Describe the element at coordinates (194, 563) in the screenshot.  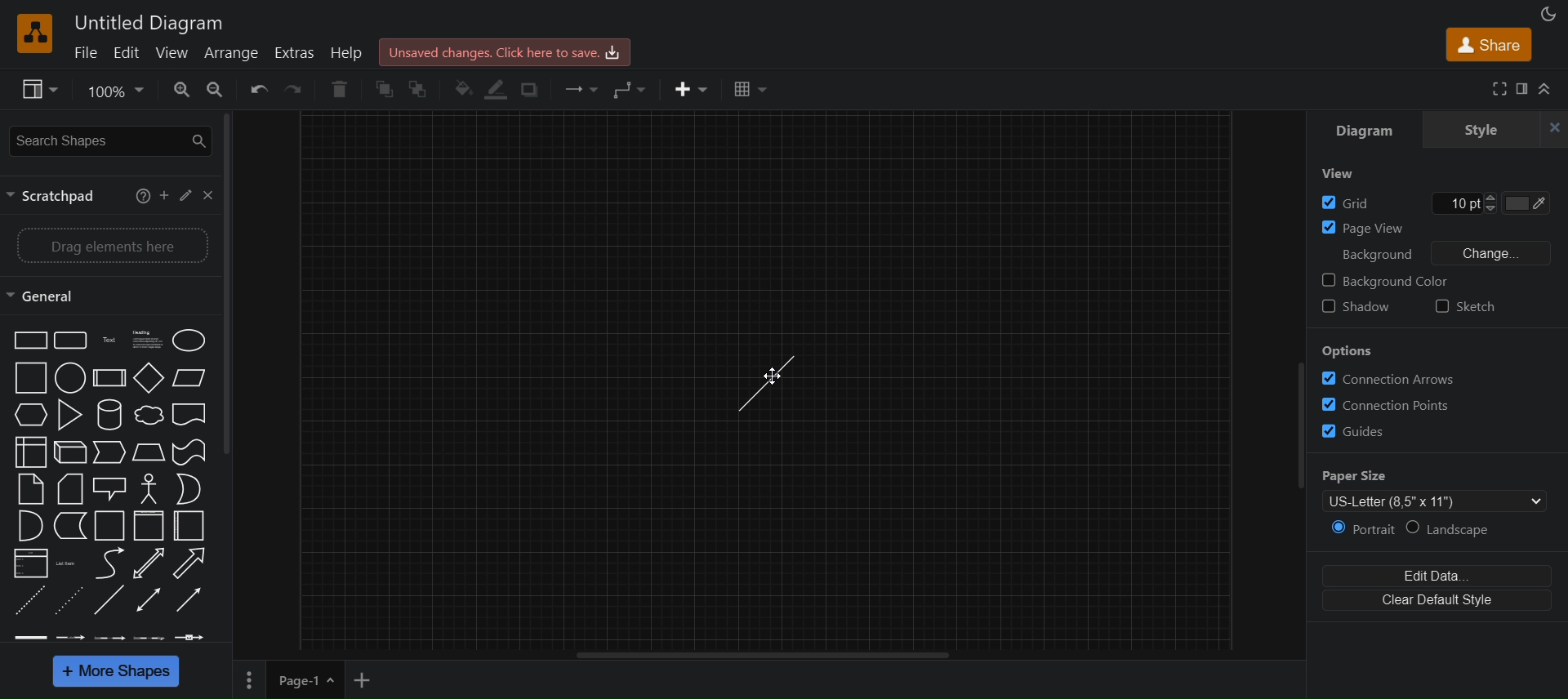
I see `Arrow` at that location.